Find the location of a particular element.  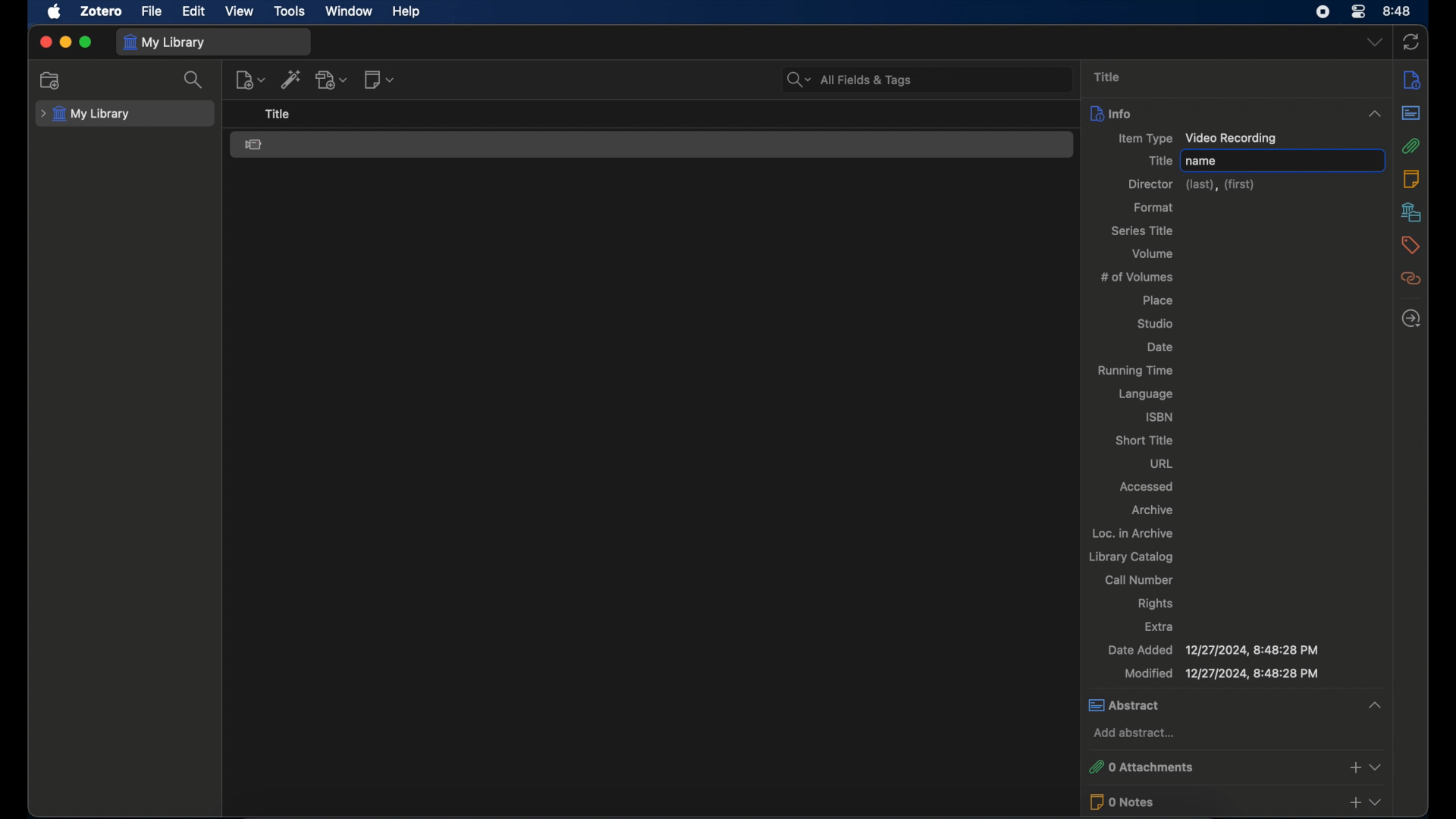

date is located at coordinates (1159, 347).